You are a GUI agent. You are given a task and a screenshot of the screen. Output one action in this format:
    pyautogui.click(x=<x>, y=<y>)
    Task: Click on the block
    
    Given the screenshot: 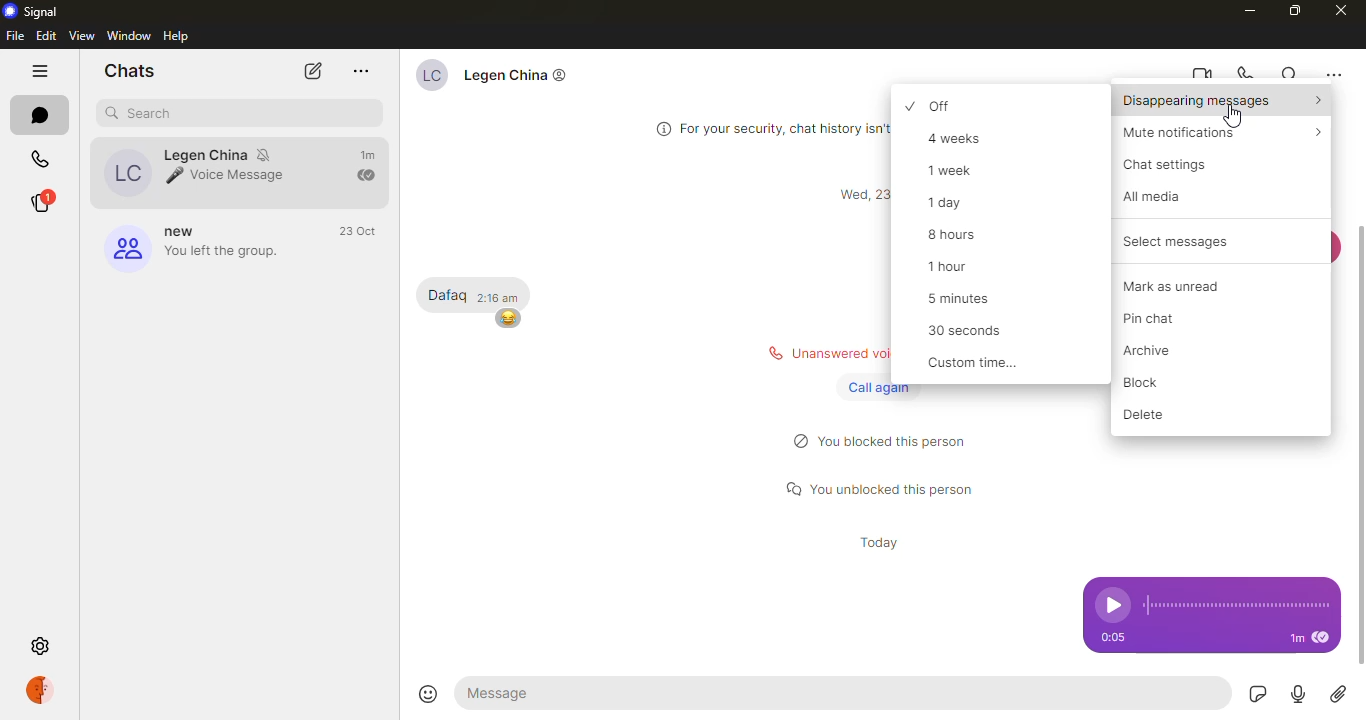 What is the action you would take?
    pyautogui.click(x=1154, y=383)
    